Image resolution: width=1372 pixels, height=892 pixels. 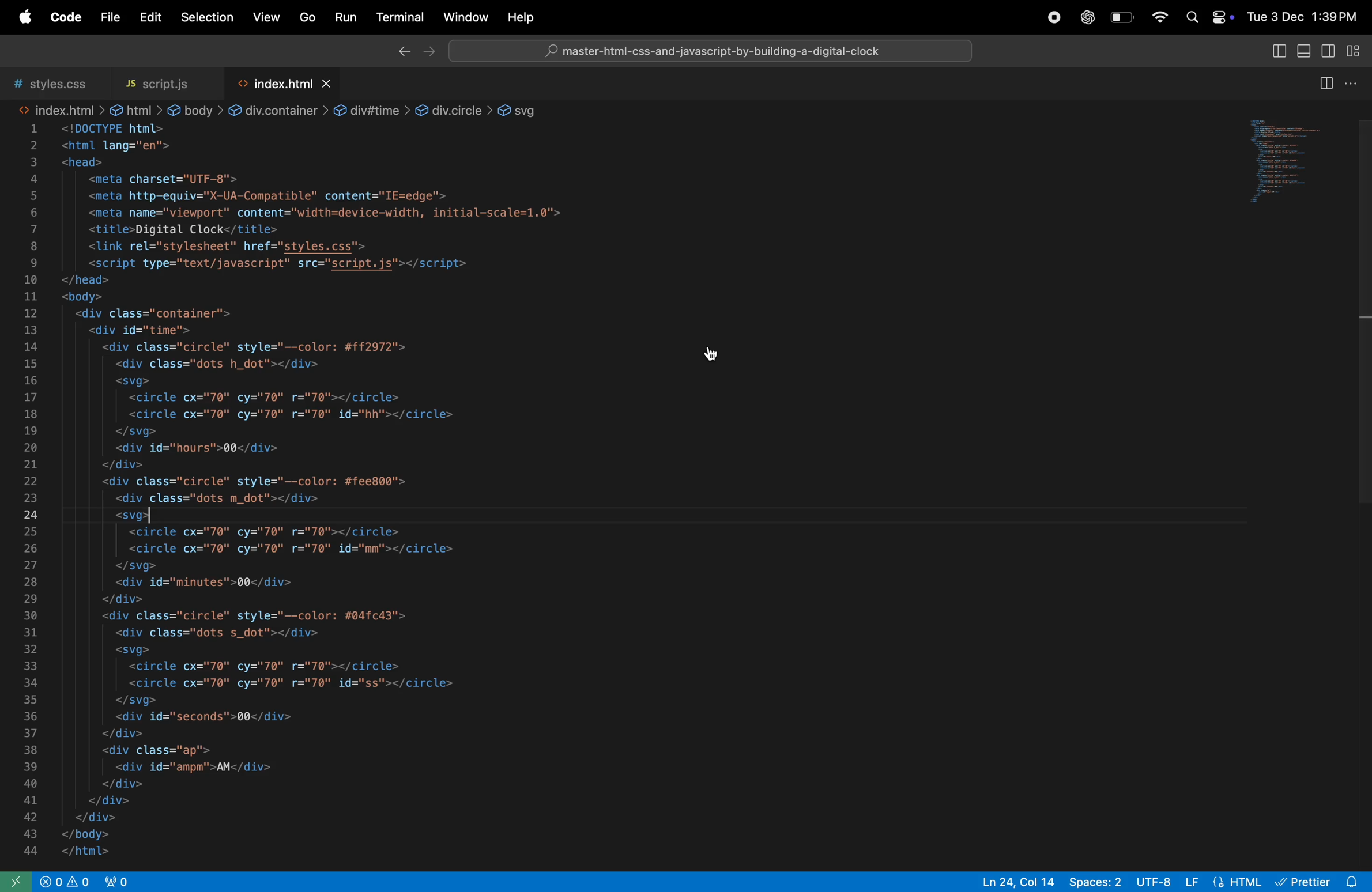 What do you see at coordinates (364, 110) in the screenshot?
I see `div#time` at bounding box center [364, 110].